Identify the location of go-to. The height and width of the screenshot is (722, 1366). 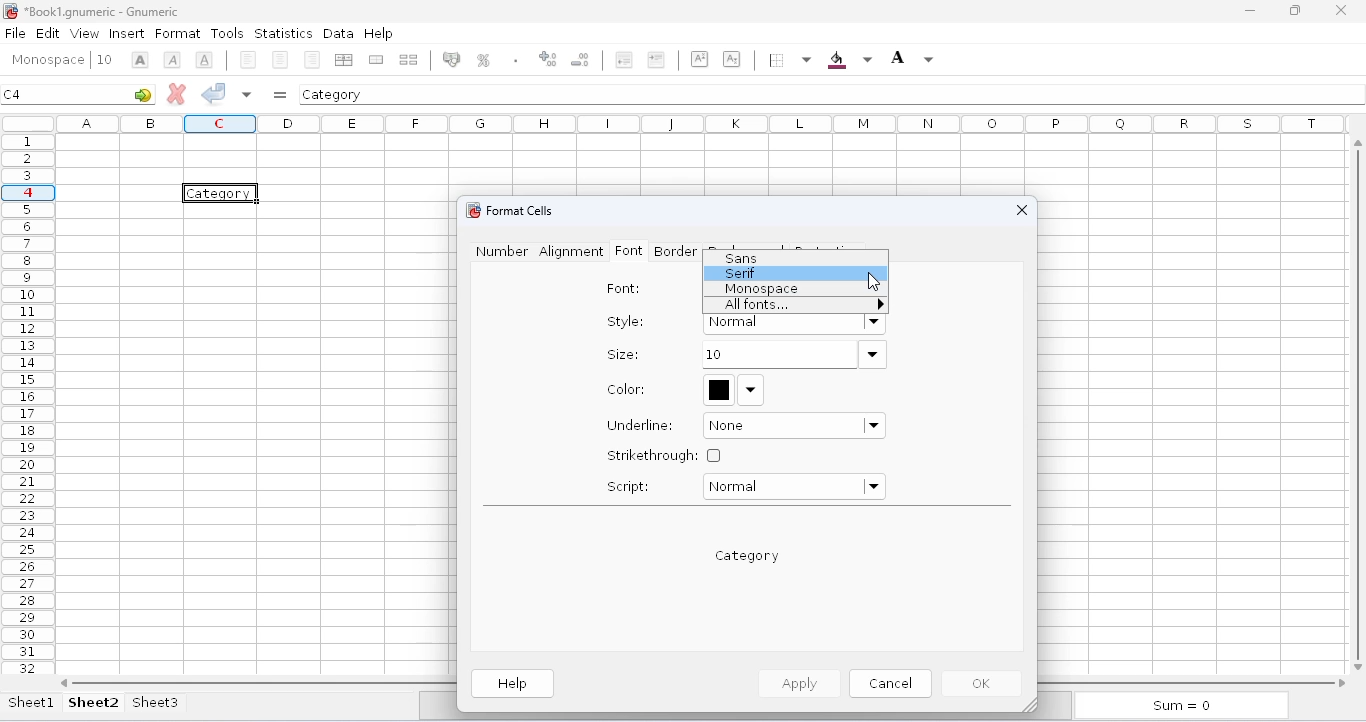
(143, 94).